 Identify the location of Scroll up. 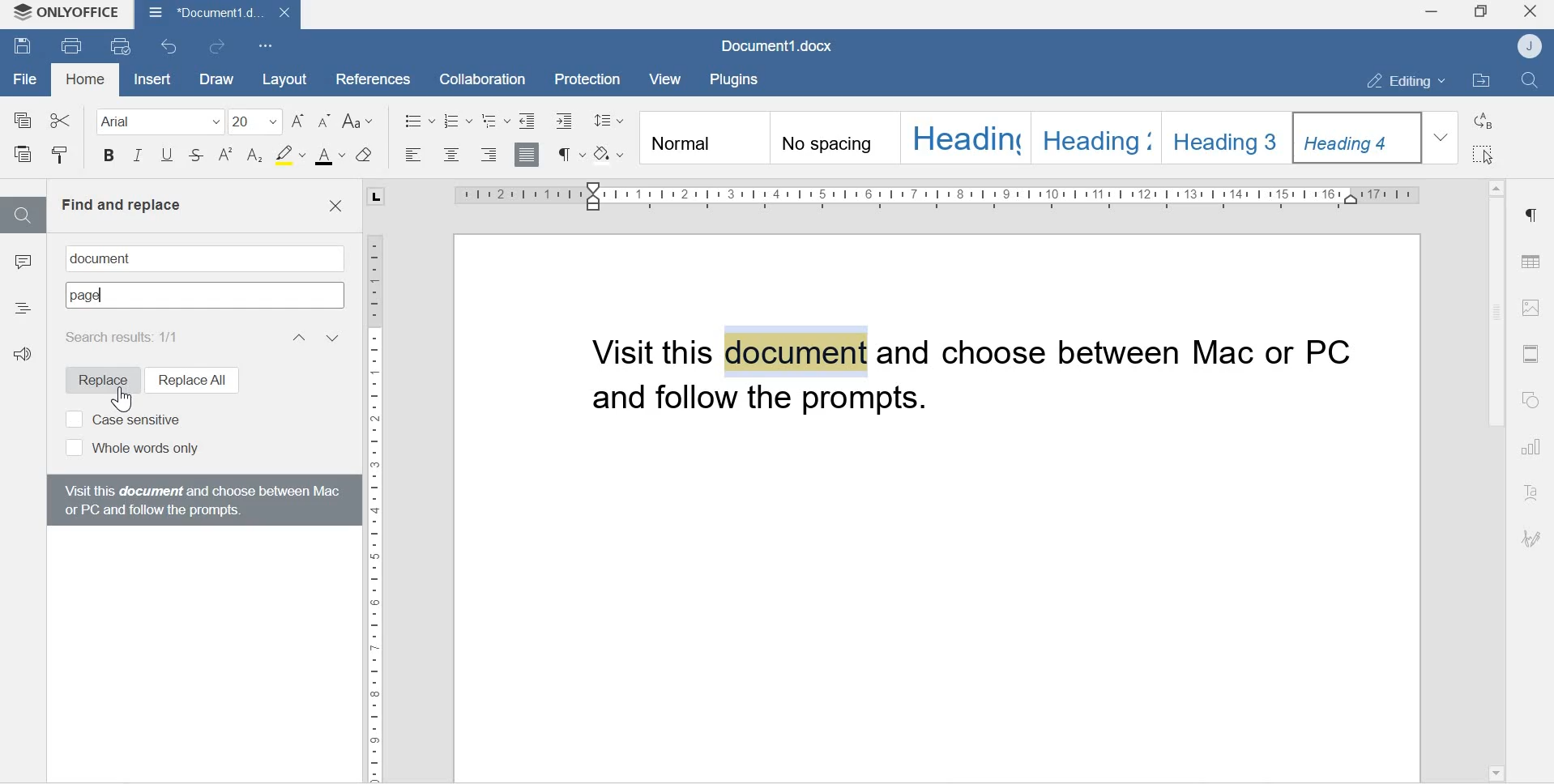
(1496, 184).